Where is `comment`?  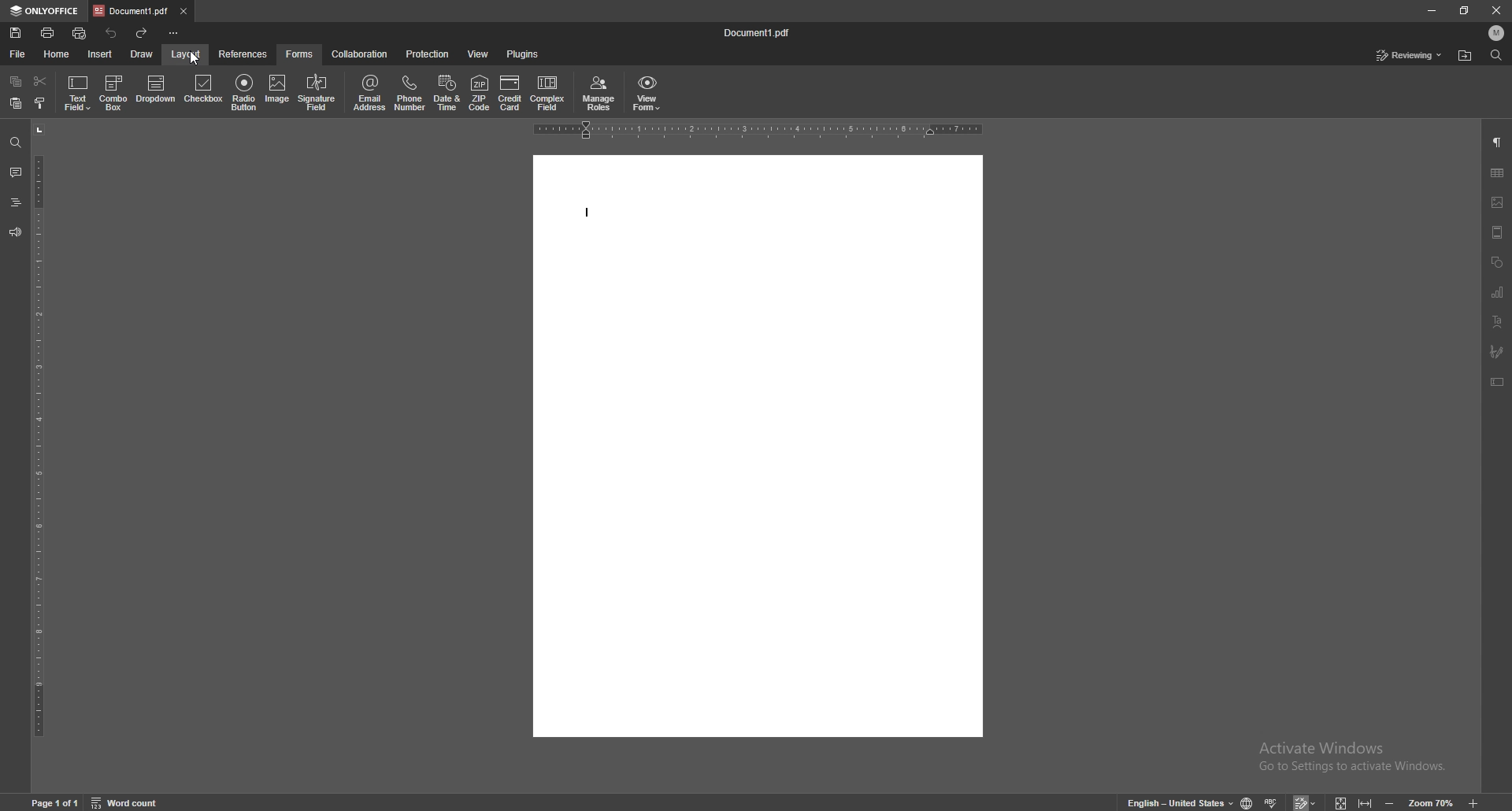
comment is located at coordinates (16, 172).